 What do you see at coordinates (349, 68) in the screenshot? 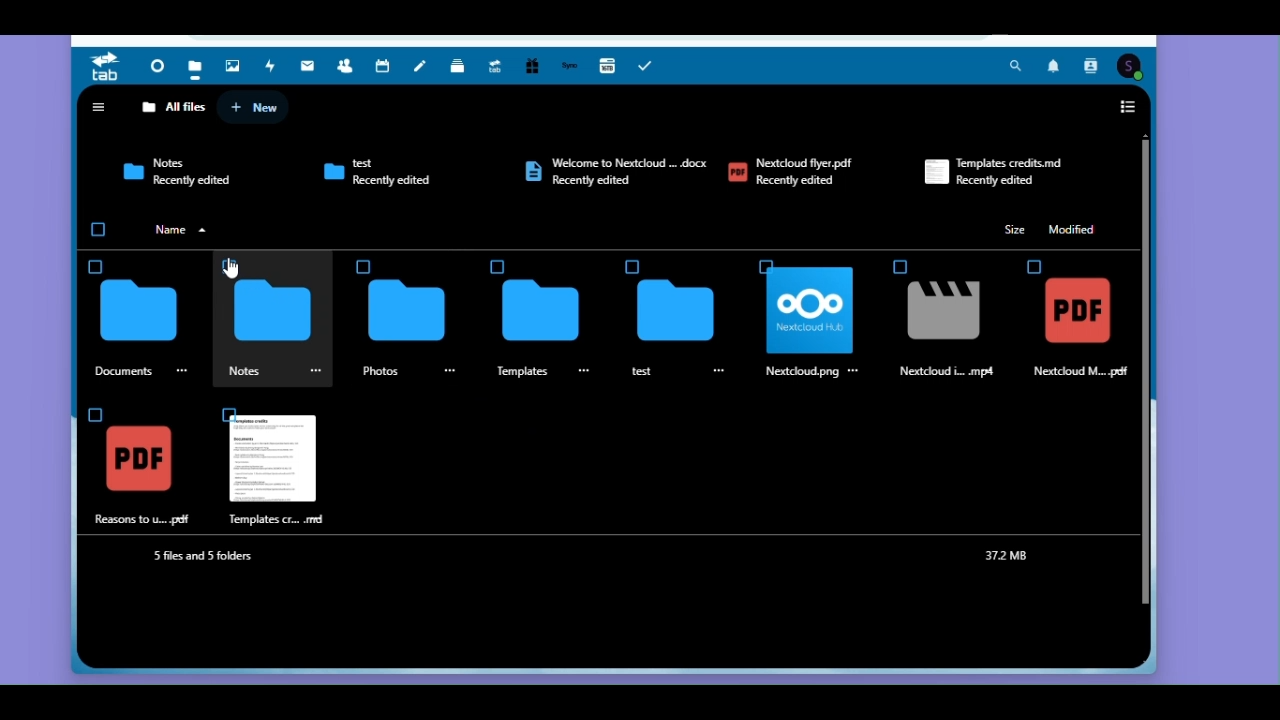
I see `Contact` at bounding box center [349, 68].